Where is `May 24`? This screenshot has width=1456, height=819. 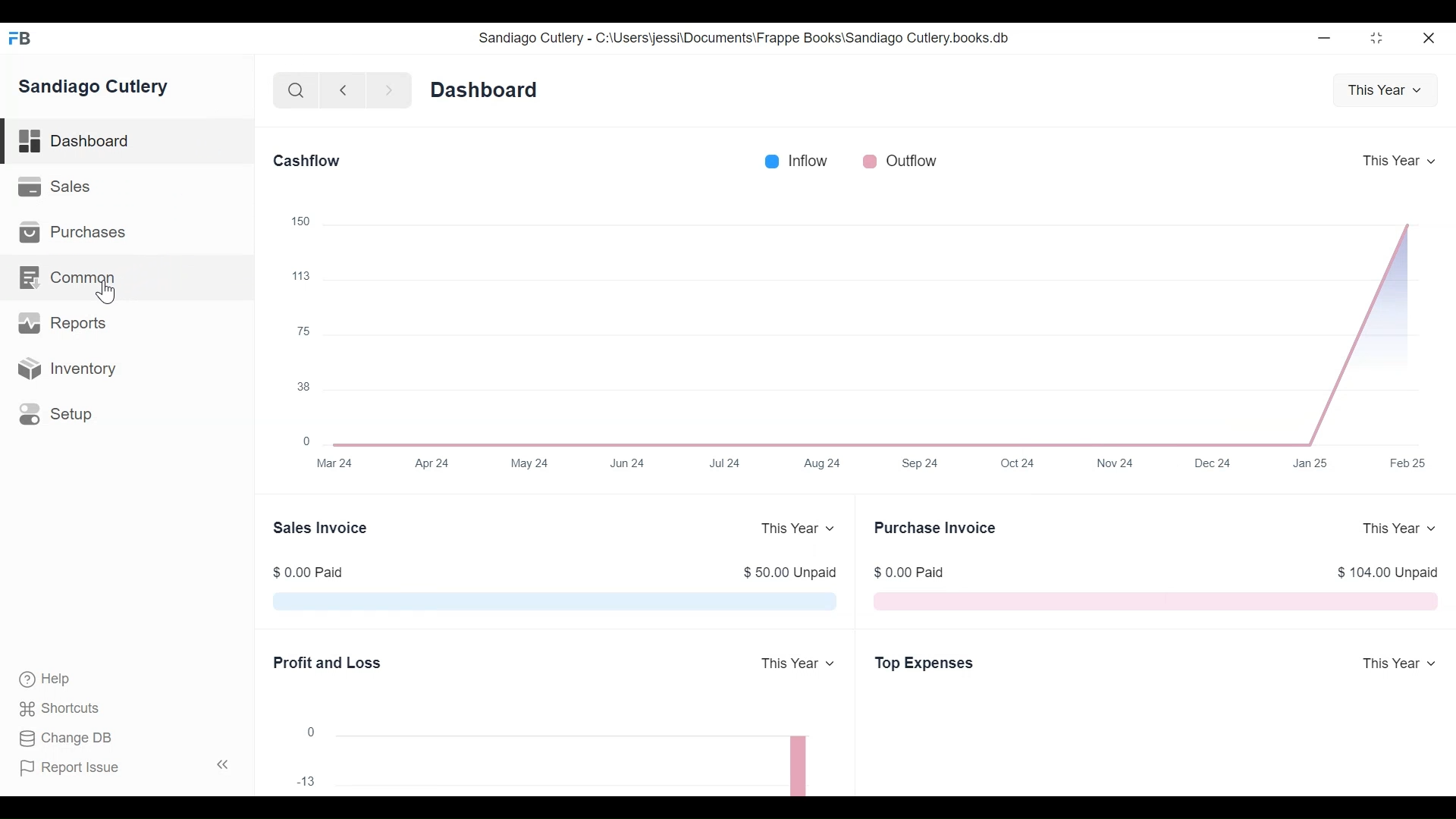
May 24 is located at coordinates (529, 462).